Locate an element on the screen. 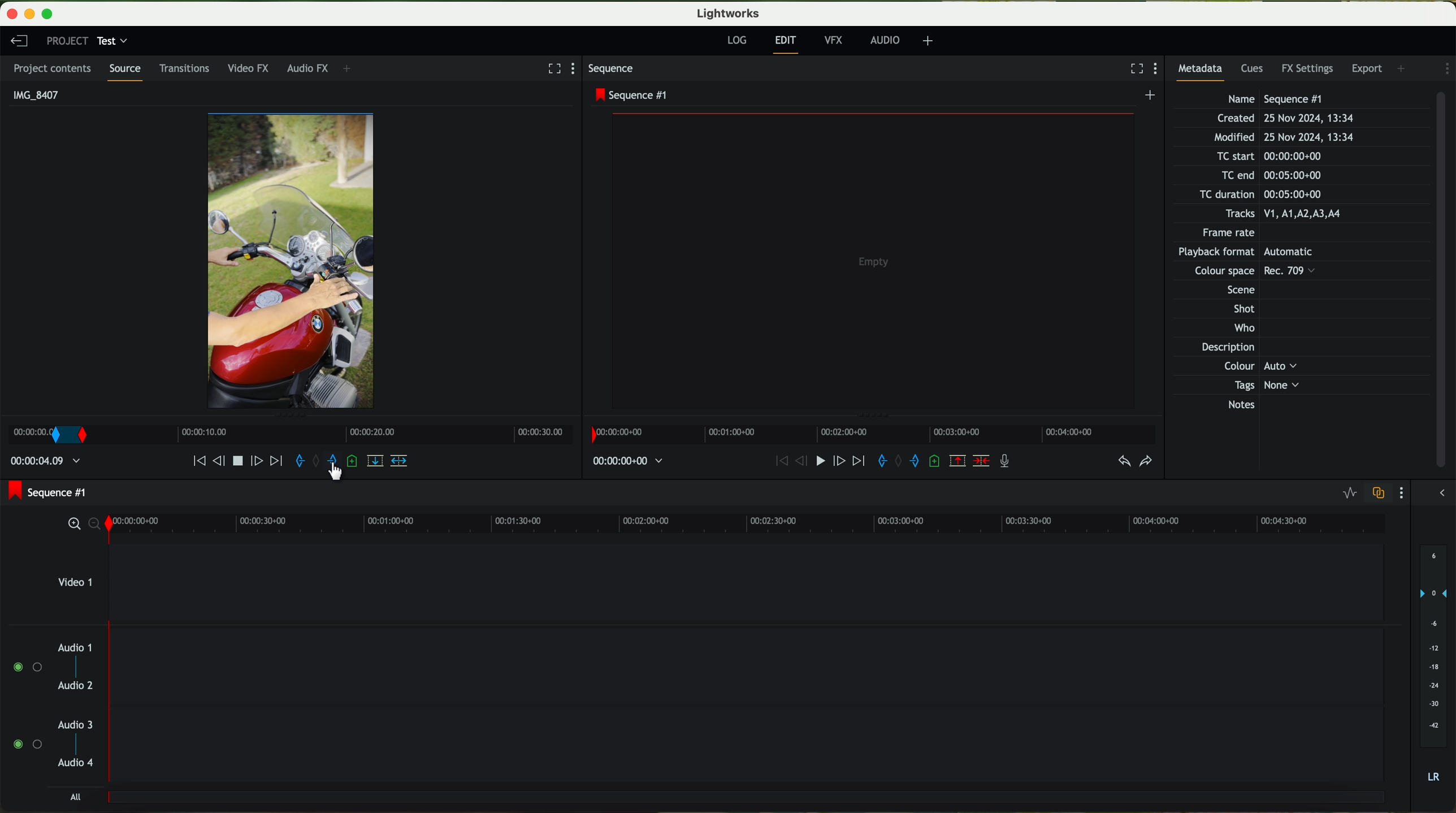 The width and height of the screenshot is (1456, 813). IMG_8407 is located at coordinates (33, 94).